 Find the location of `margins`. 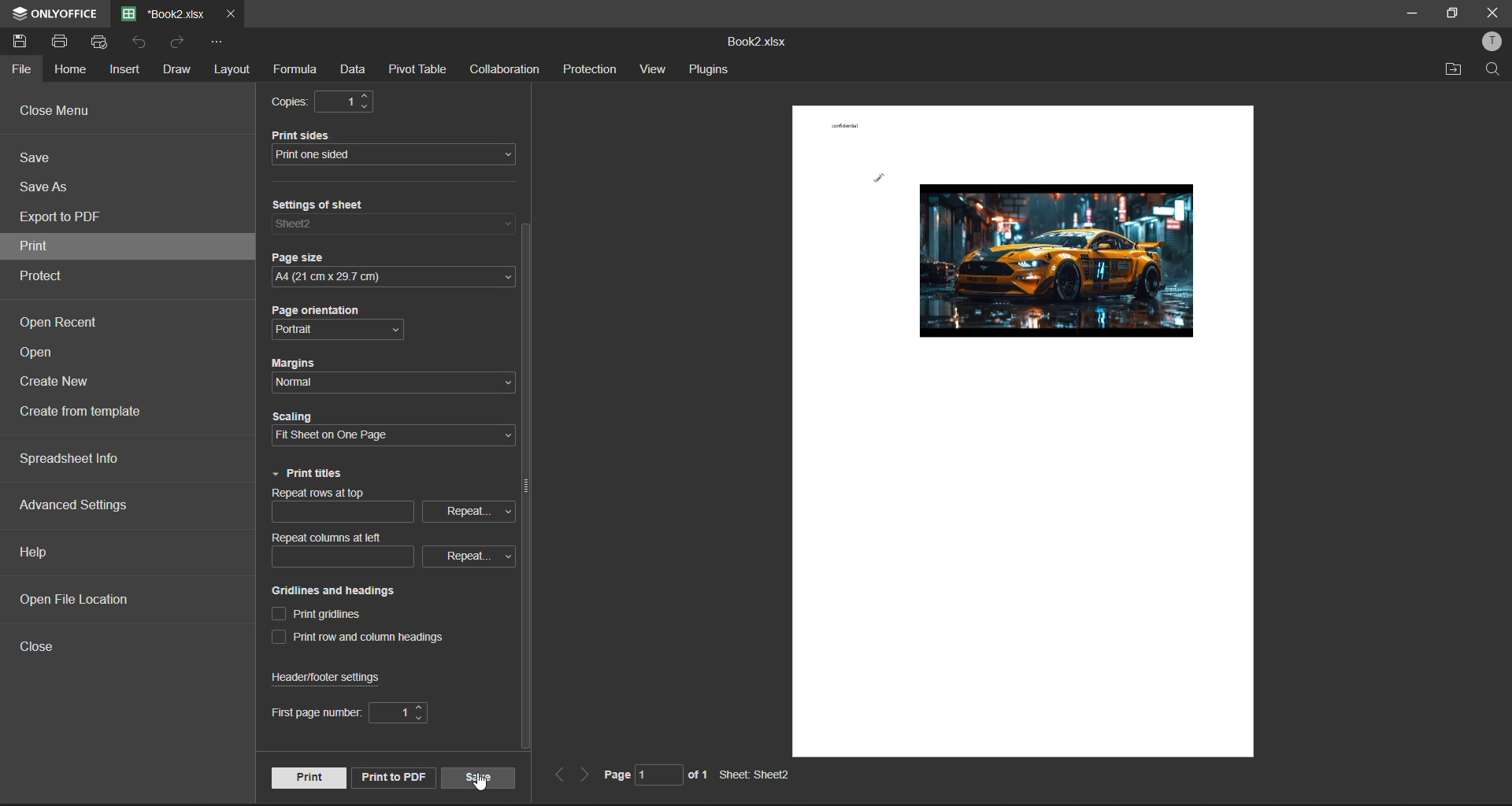

margins is located at coordinates (385, 371).